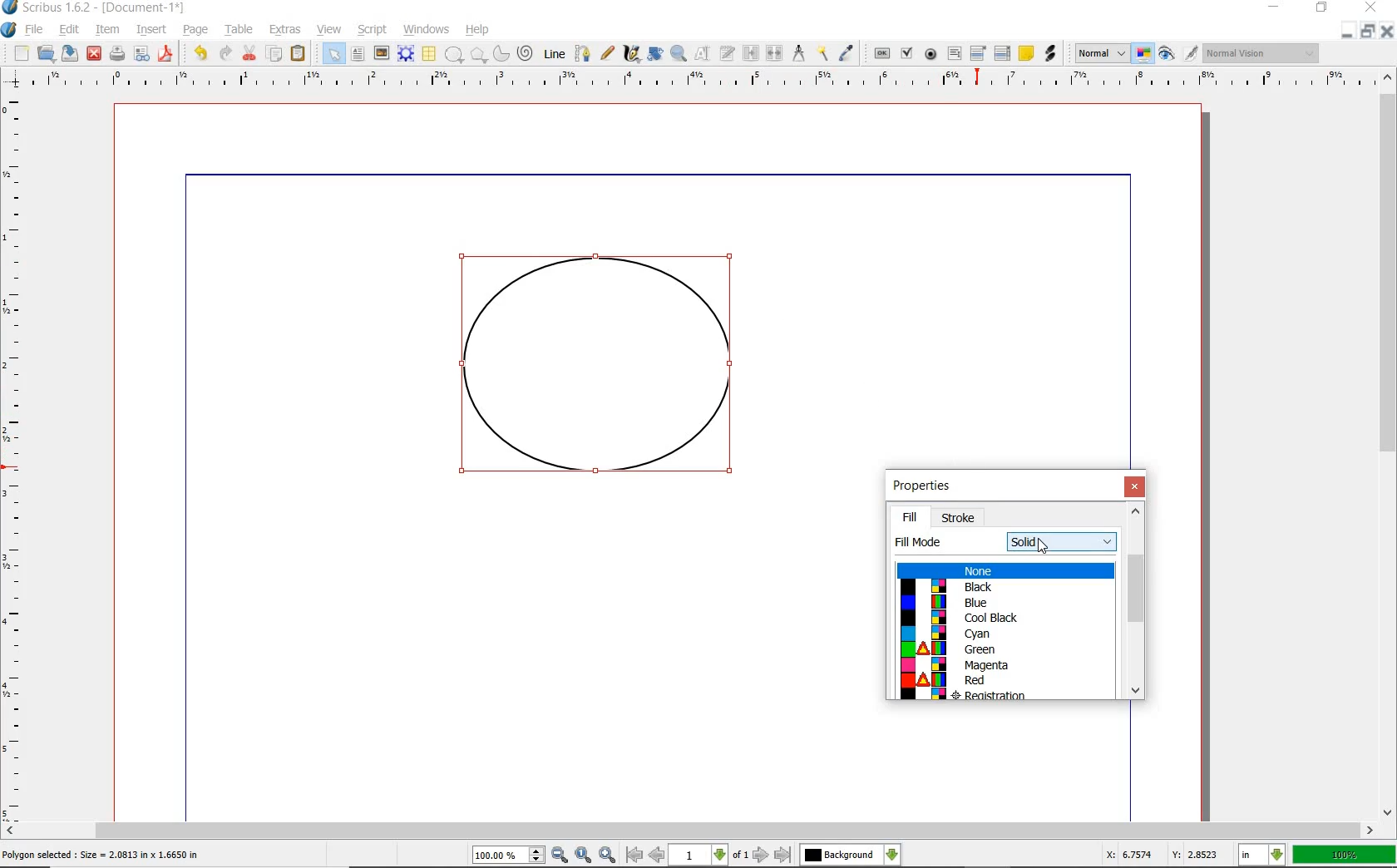 The image size is (1397, 868). I want to click on MINIMIZE, so click(1276, 6).